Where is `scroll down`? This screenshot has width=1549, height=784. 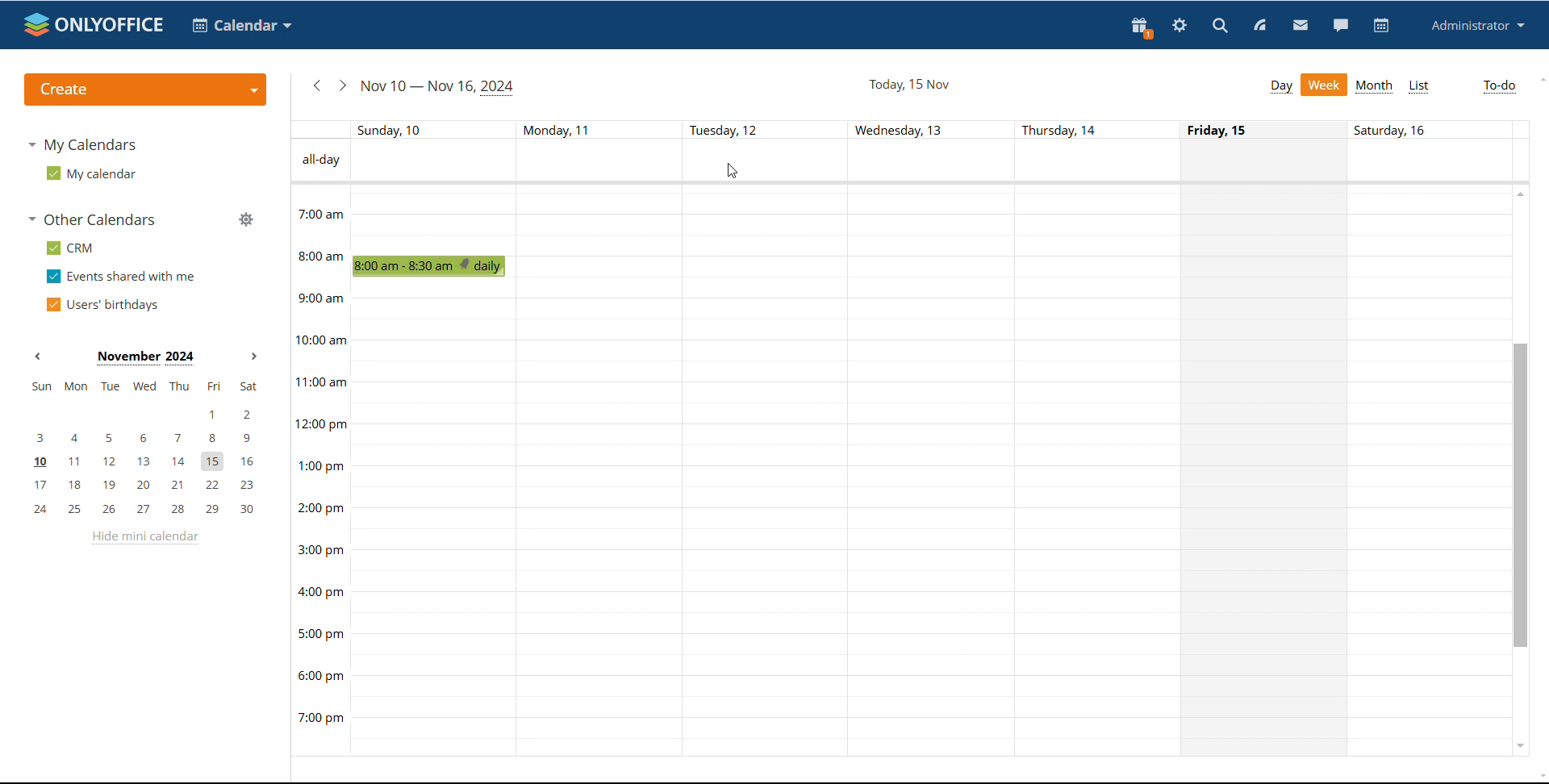
scroll down is located at coordinates (1520, 746).